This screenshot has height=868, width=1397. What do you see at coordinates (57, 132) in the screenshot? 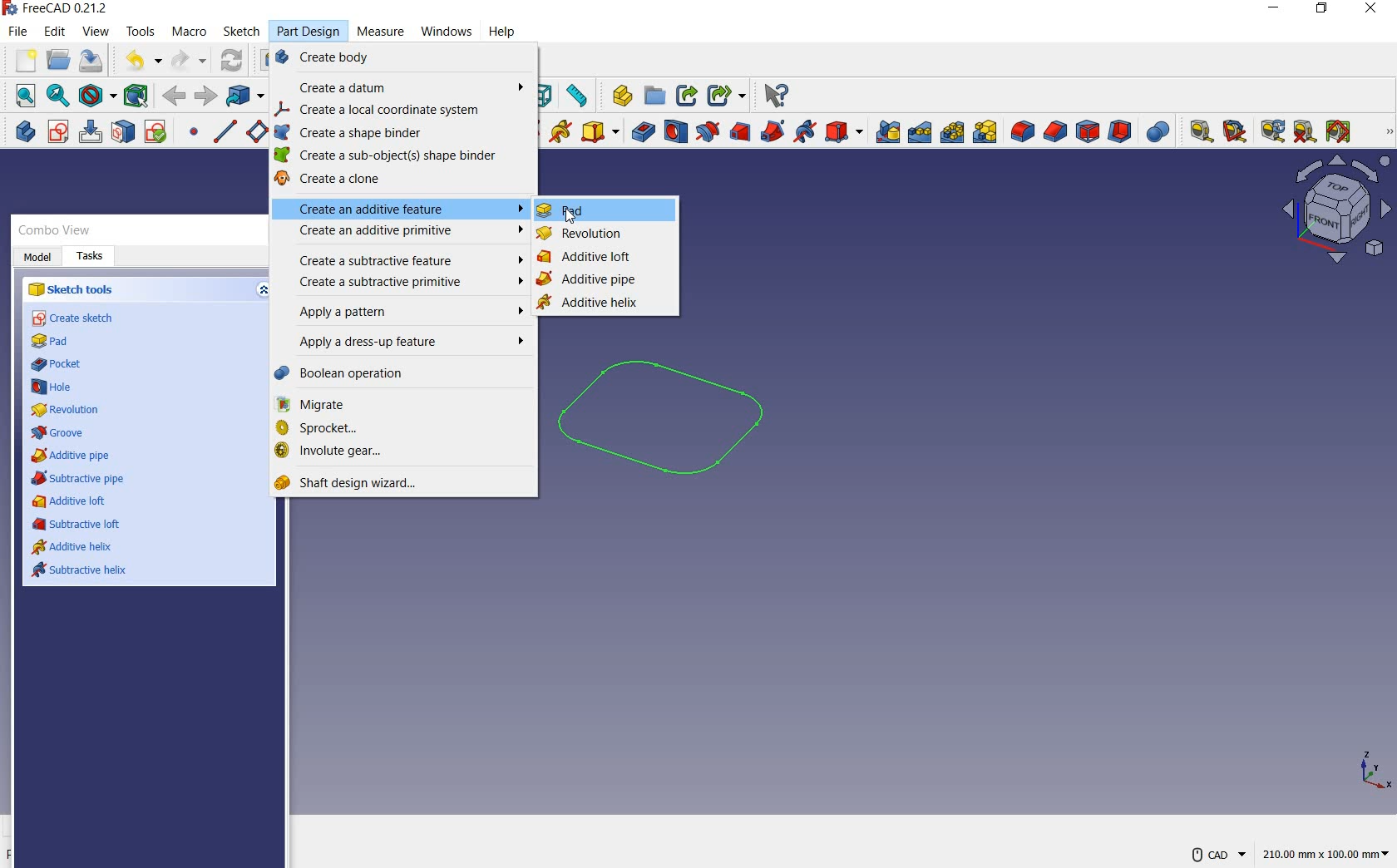
I see `create sketch` at bounding box center [57, 132].